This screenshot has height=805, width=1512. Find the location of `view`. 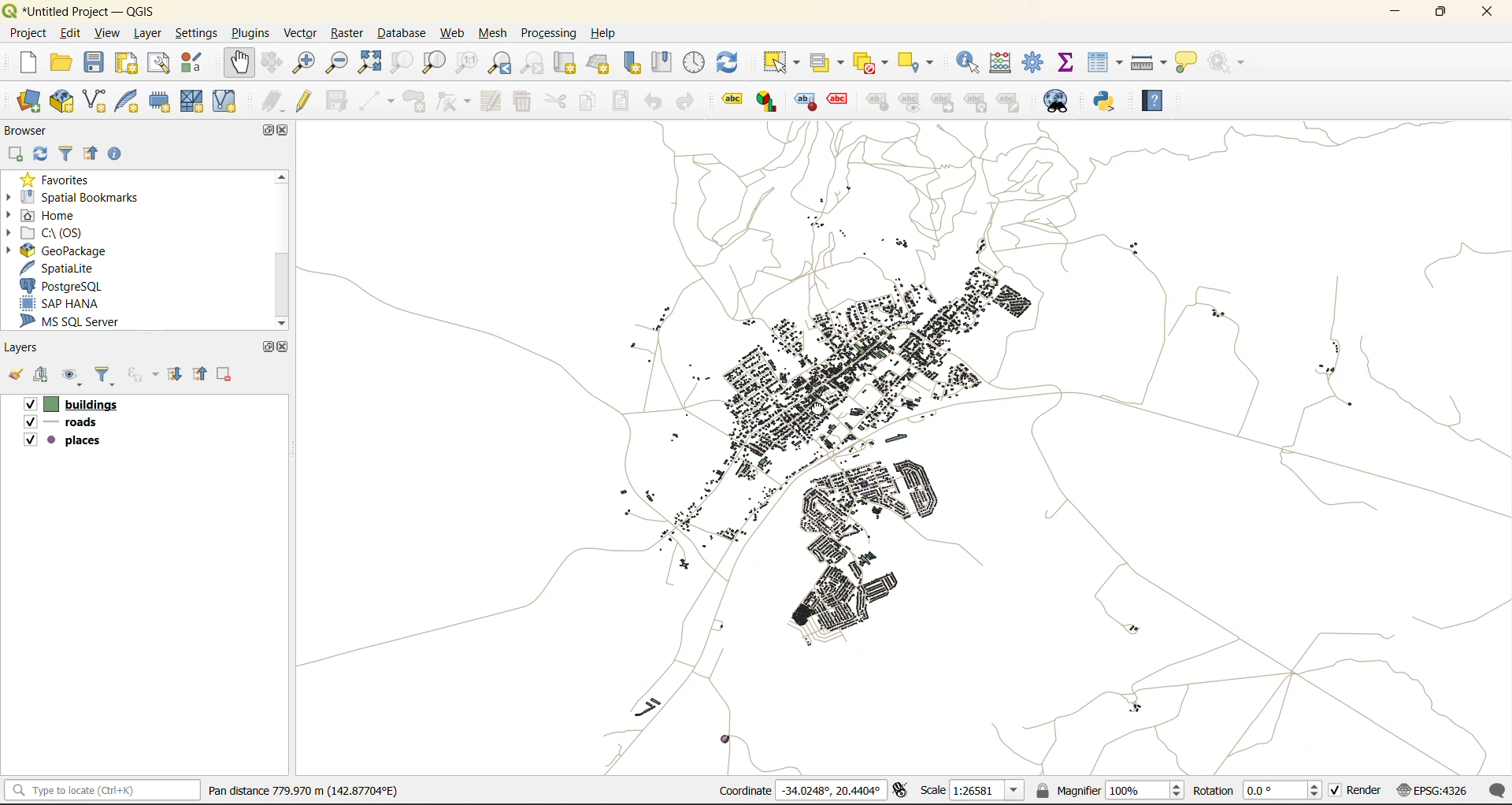

view is located at coordinates (108, 34).